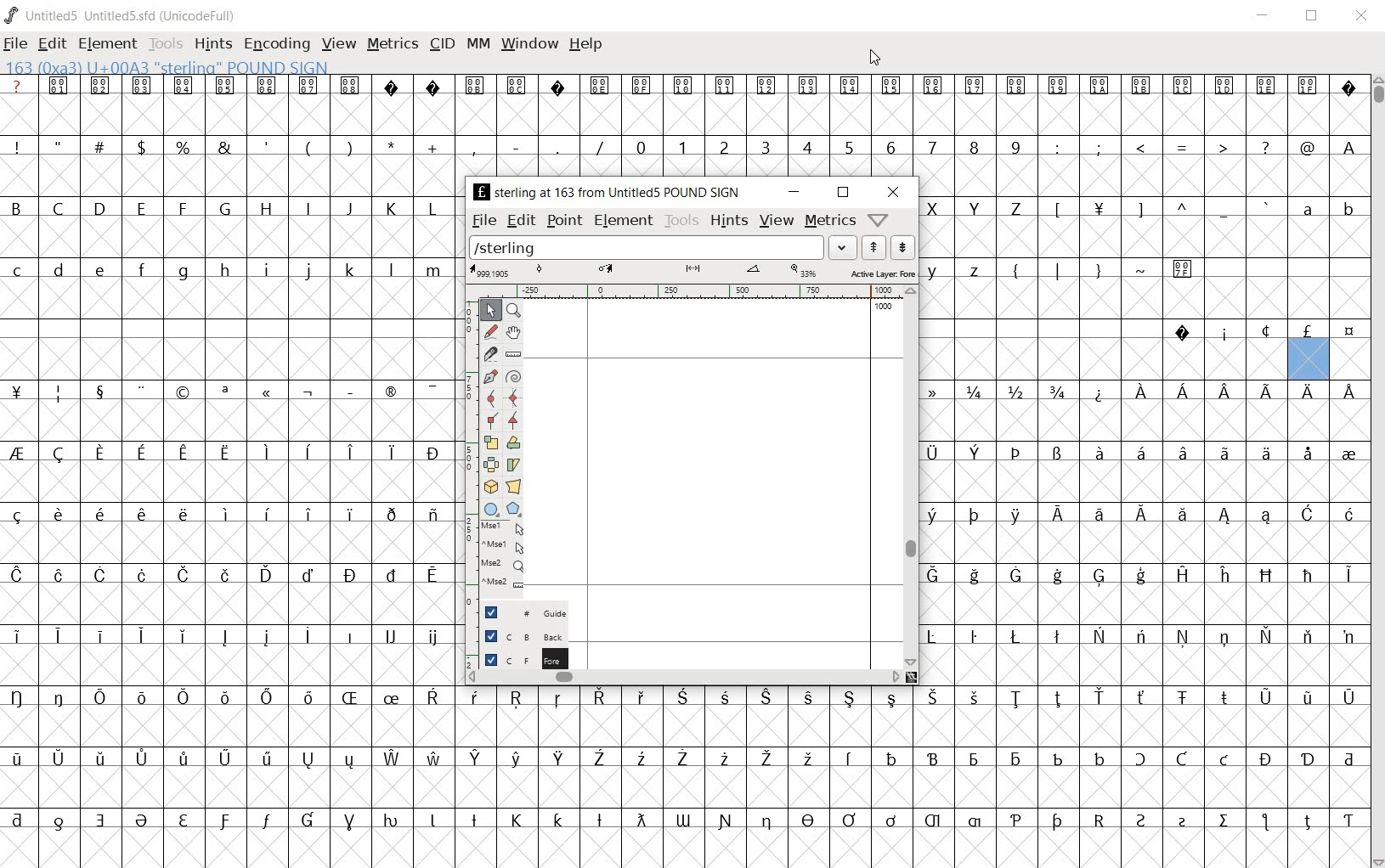  What do you see at coordinates (182, 209) in the screenshot?
I see `F` at bounding box center [182, 209].